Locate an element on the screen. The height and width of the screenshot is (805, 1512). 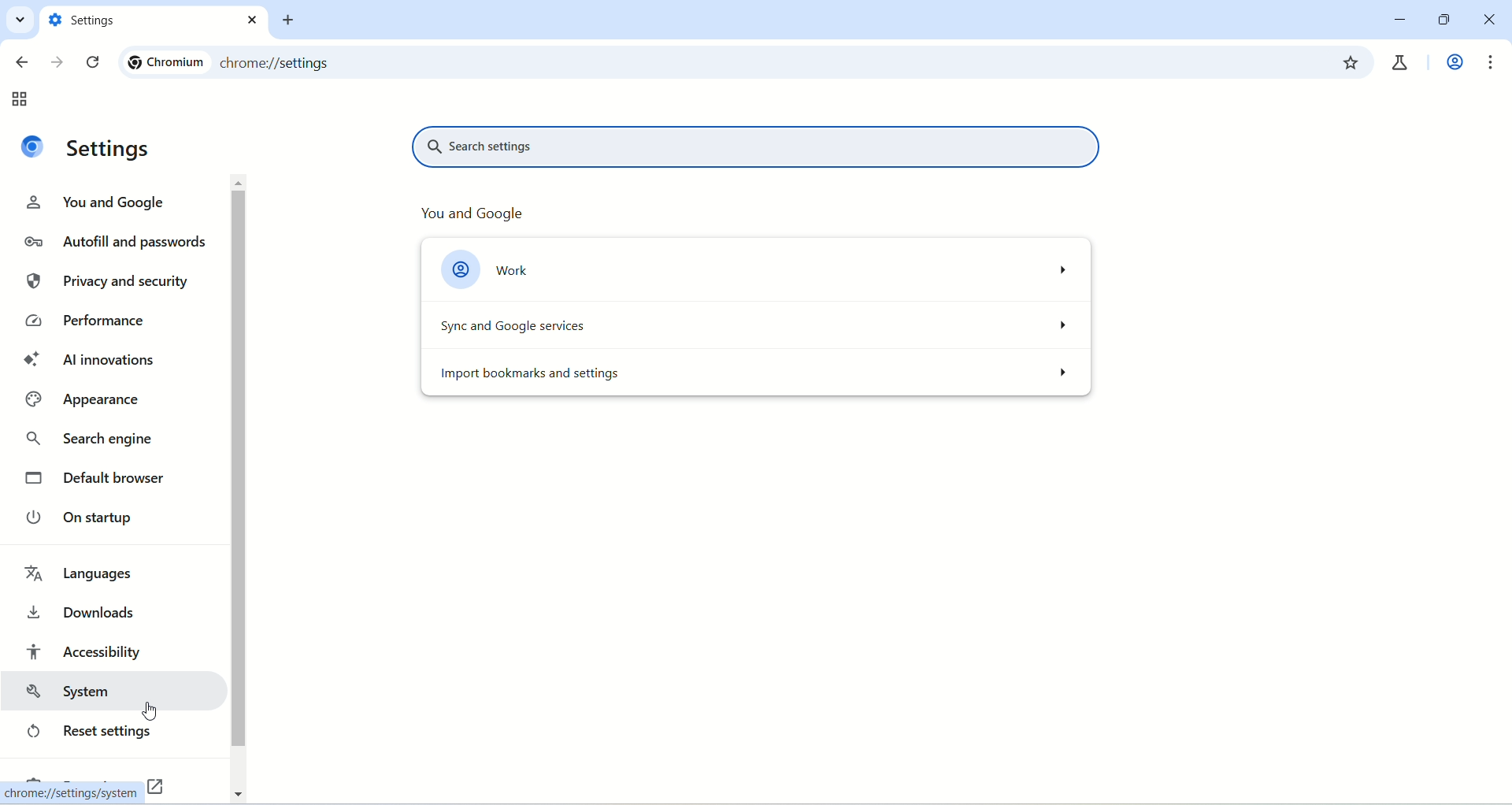
autofill and passwords is located at coordinates (115, 243).